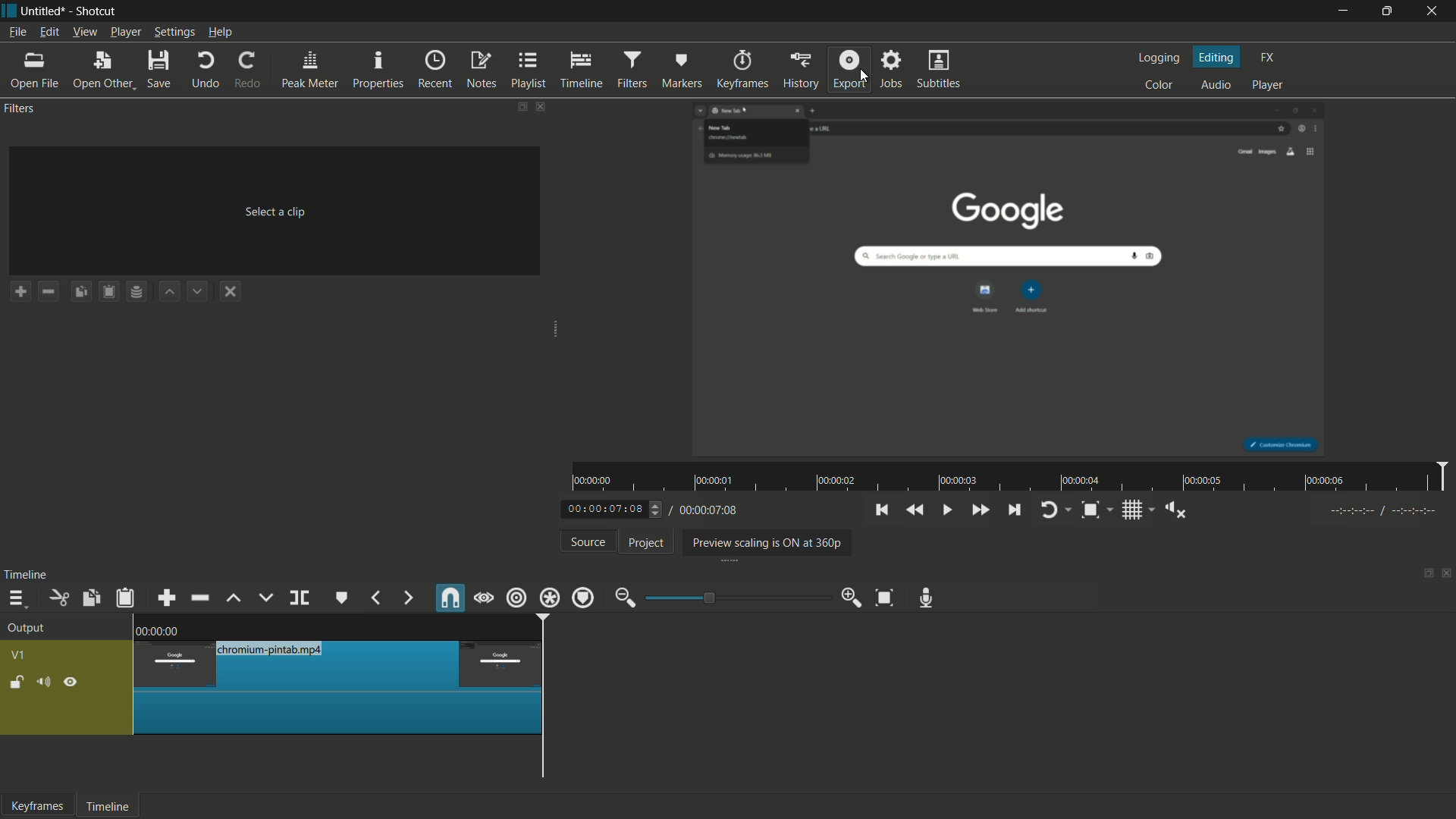 The height and width of the screenshot is (819, 1456). I want to click on copy checked filters, so click(89, 599).